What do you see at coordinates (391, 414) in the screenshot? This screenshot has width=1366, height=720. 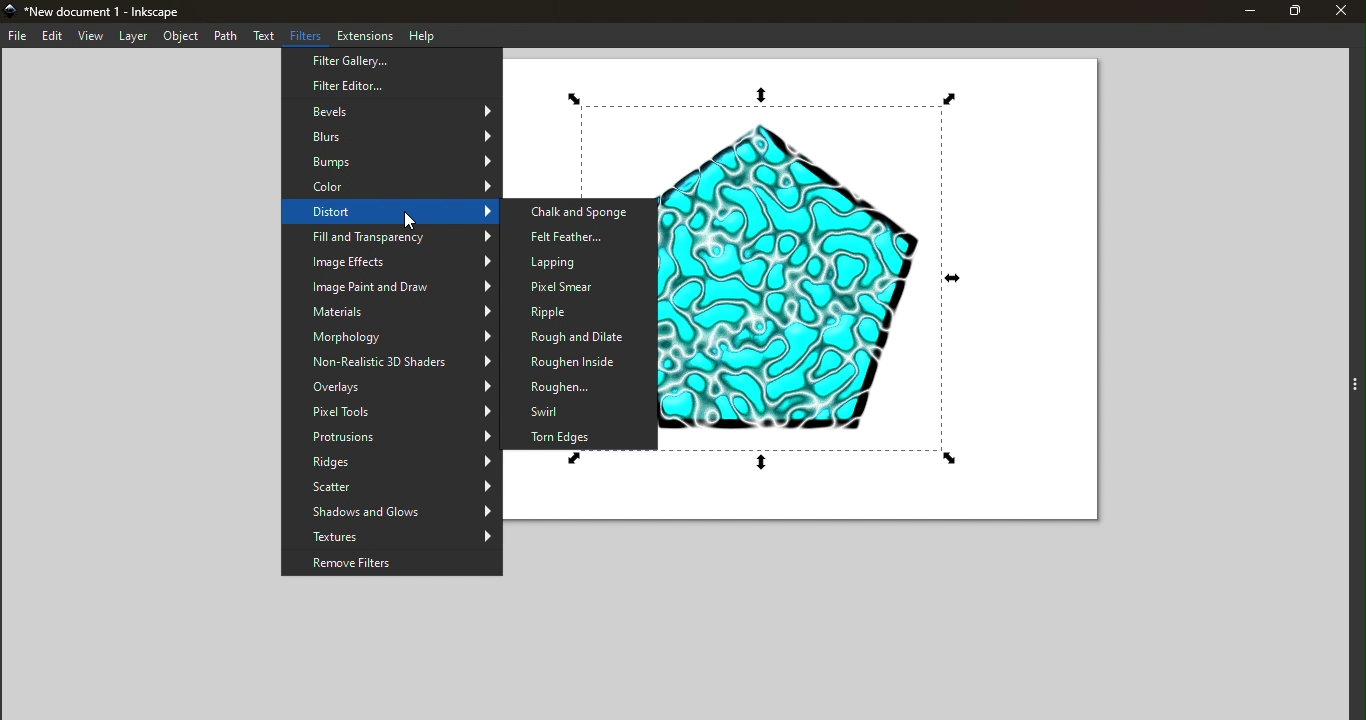 I see `Pixel Tools` at bounding box center [391, 414].